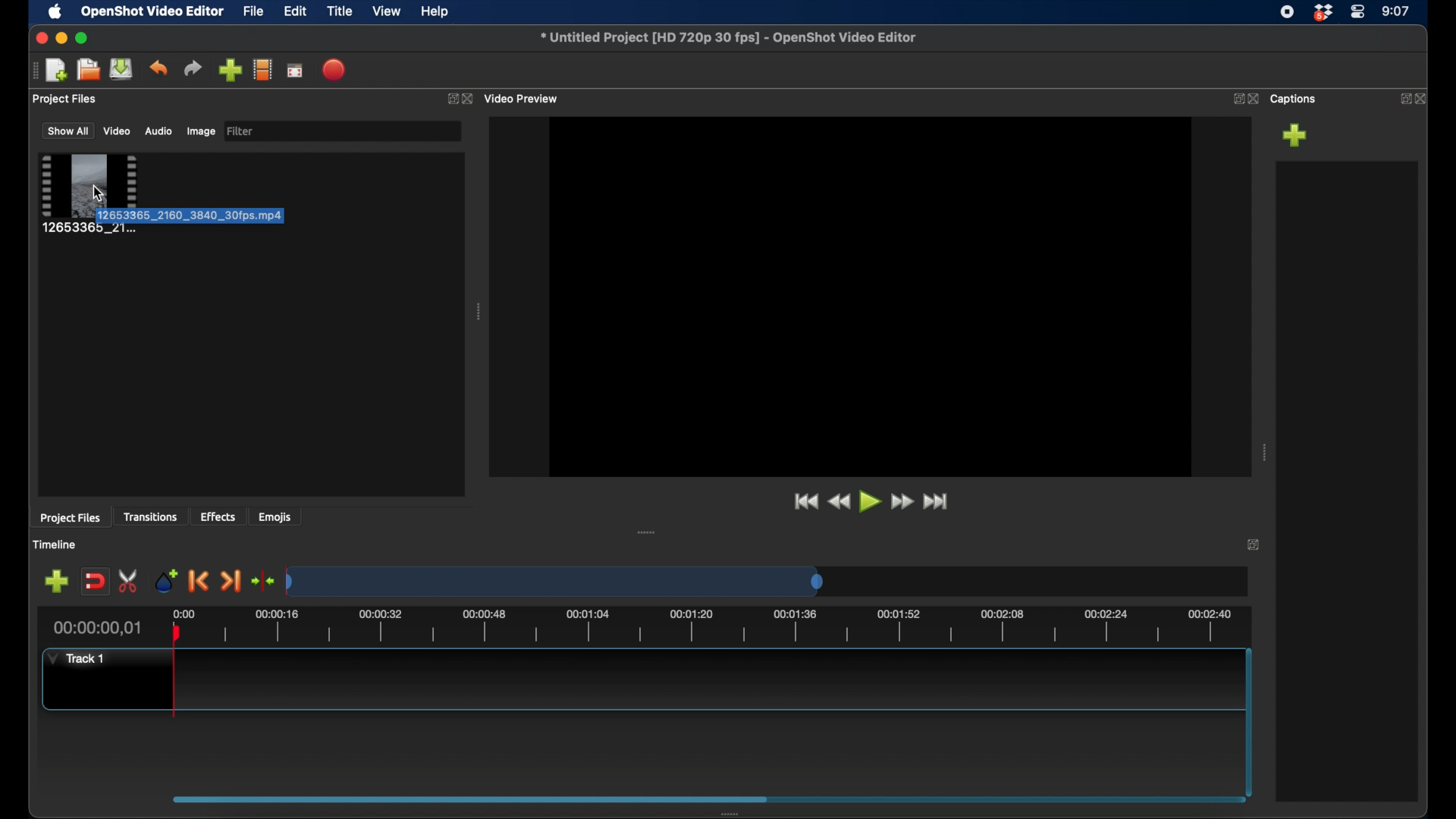  I want to click on timeline, so click(57, 544).